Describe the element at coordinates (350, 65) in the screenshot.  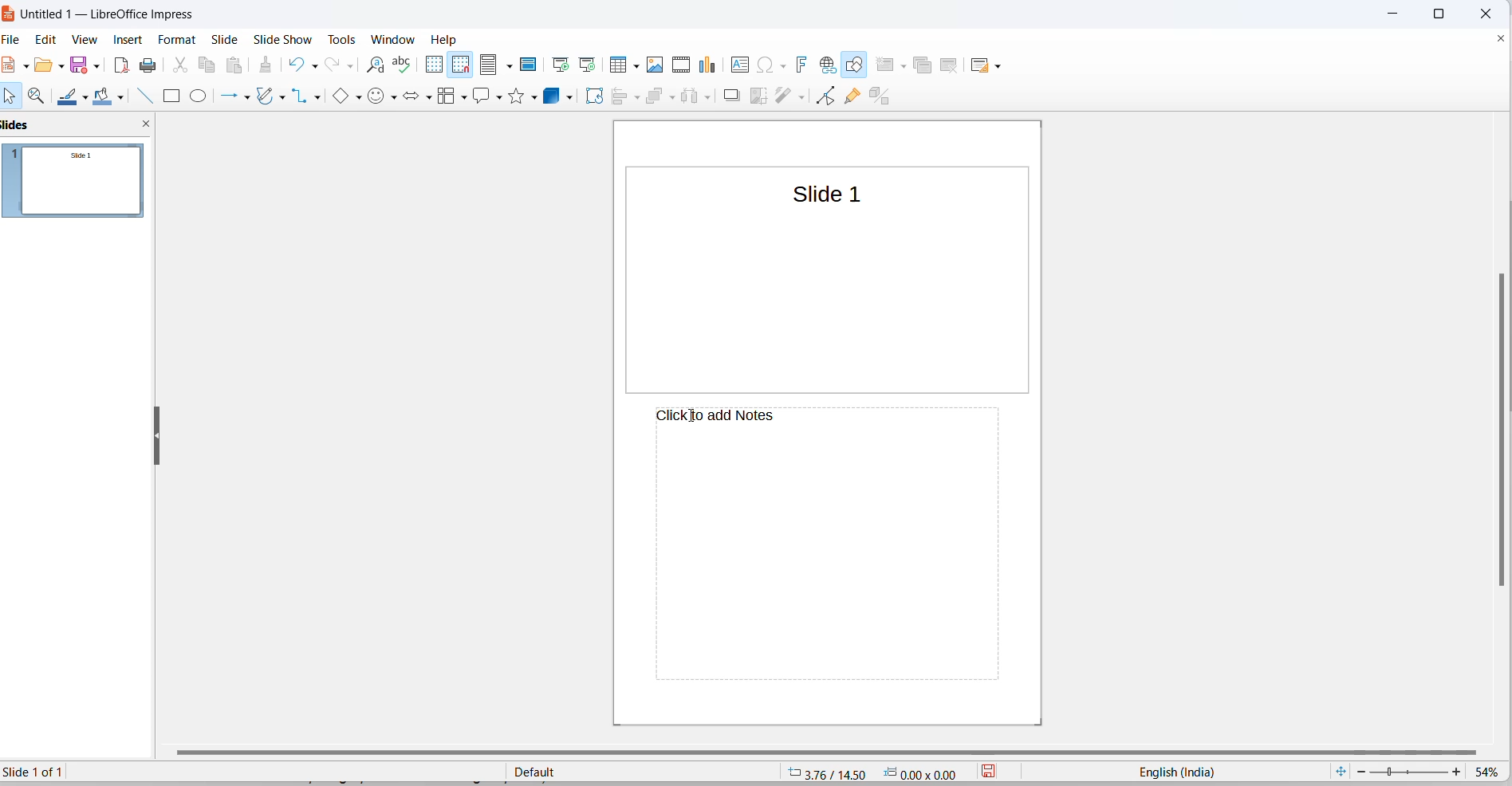
I see `redo options` at that location.